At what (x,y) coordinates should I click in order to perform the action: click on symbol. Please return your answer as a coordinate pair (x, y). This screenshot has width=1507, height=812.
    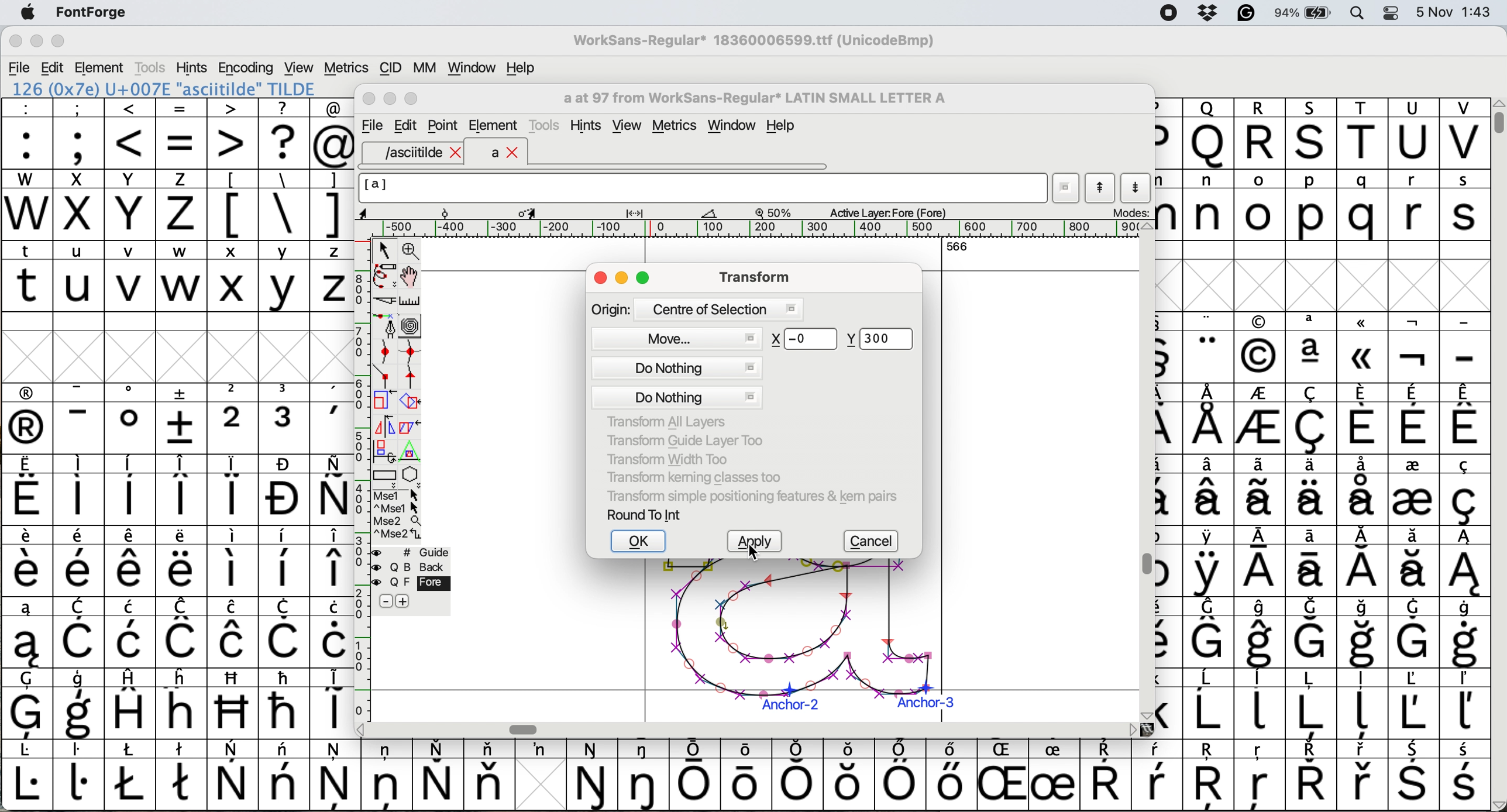
    Looking at the image, I should click on (181, 562).